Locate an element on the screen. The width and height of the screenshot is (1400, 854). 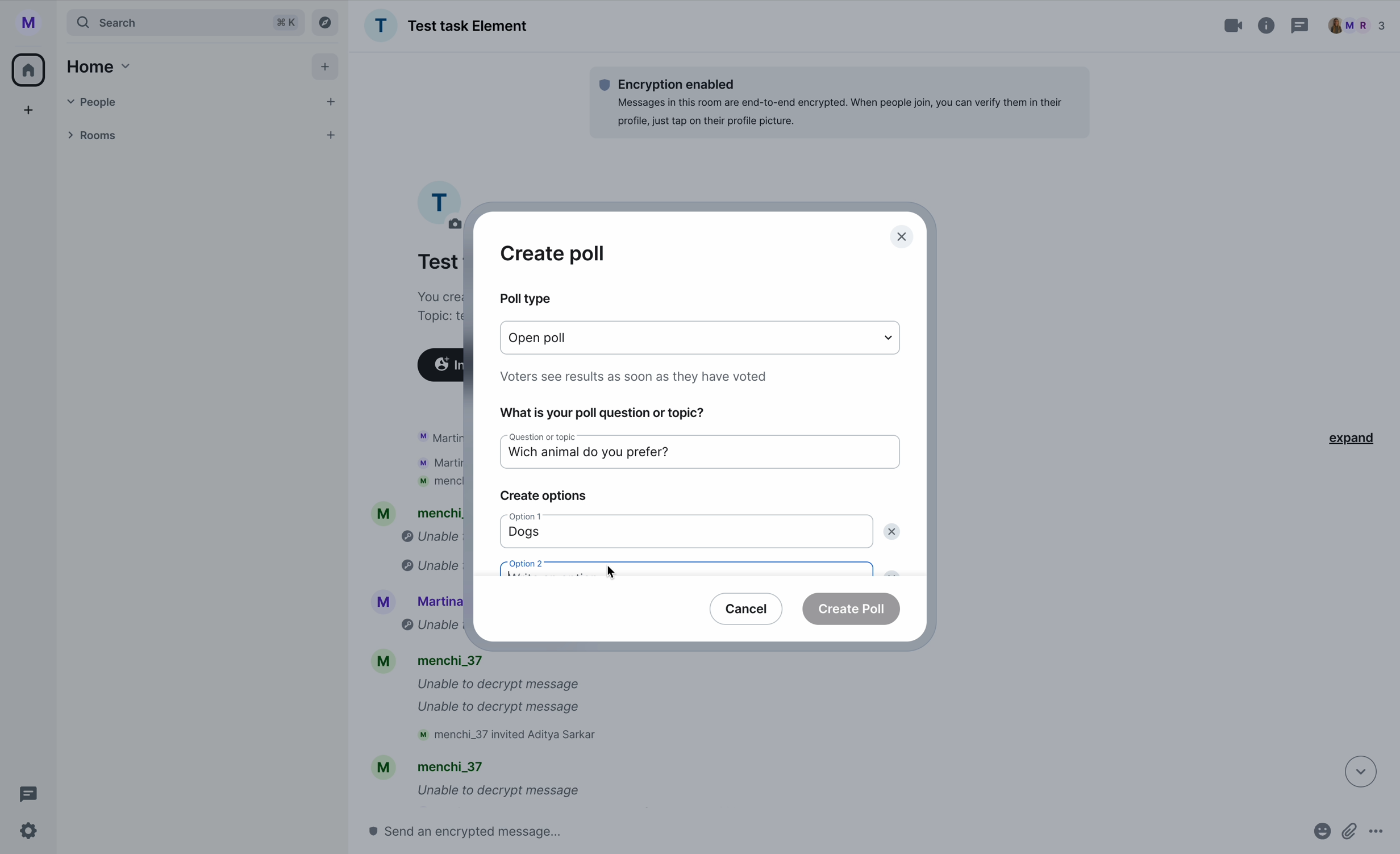
profile picture is located at coordinates (33, 23).